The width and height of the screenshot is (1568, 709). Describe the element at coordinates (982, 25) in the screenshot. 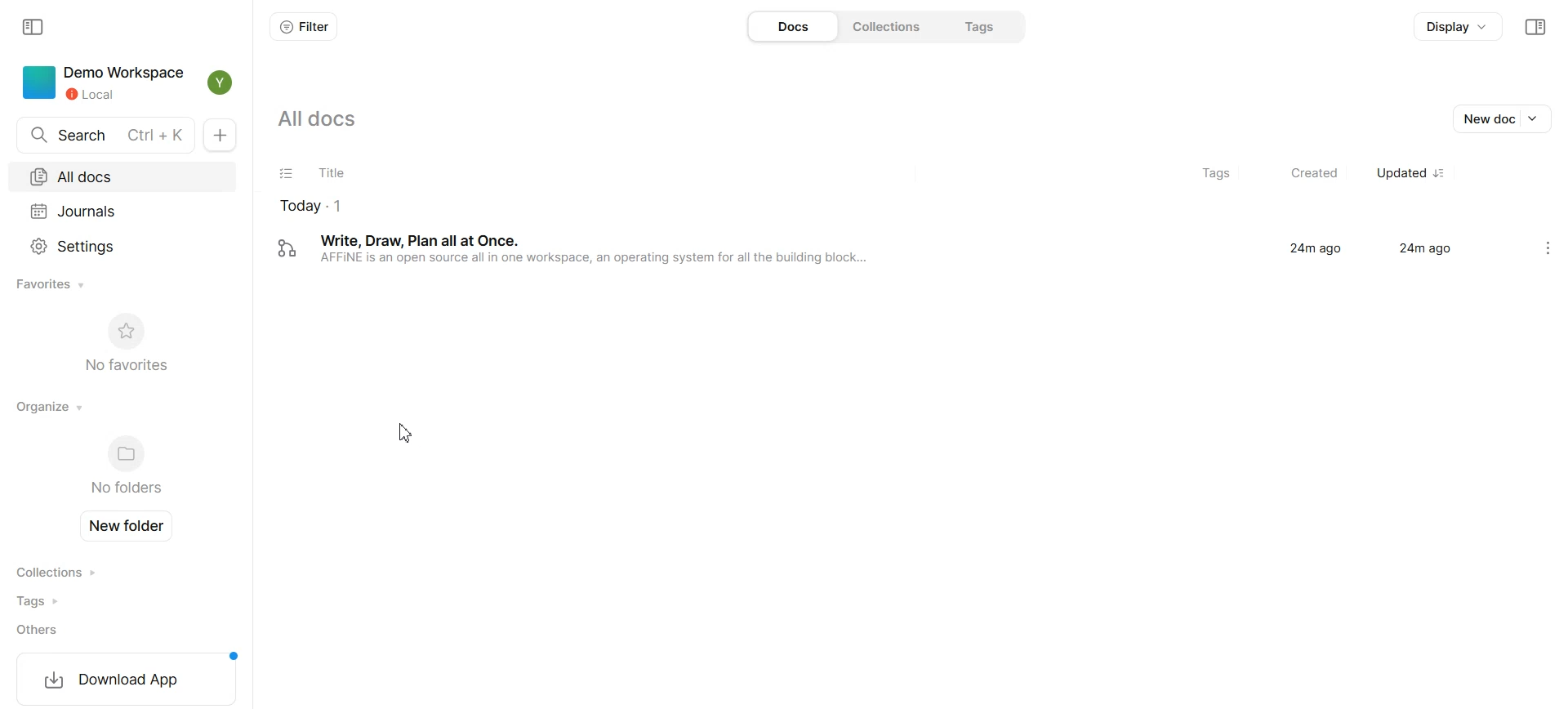

I see `Tags` at that location.